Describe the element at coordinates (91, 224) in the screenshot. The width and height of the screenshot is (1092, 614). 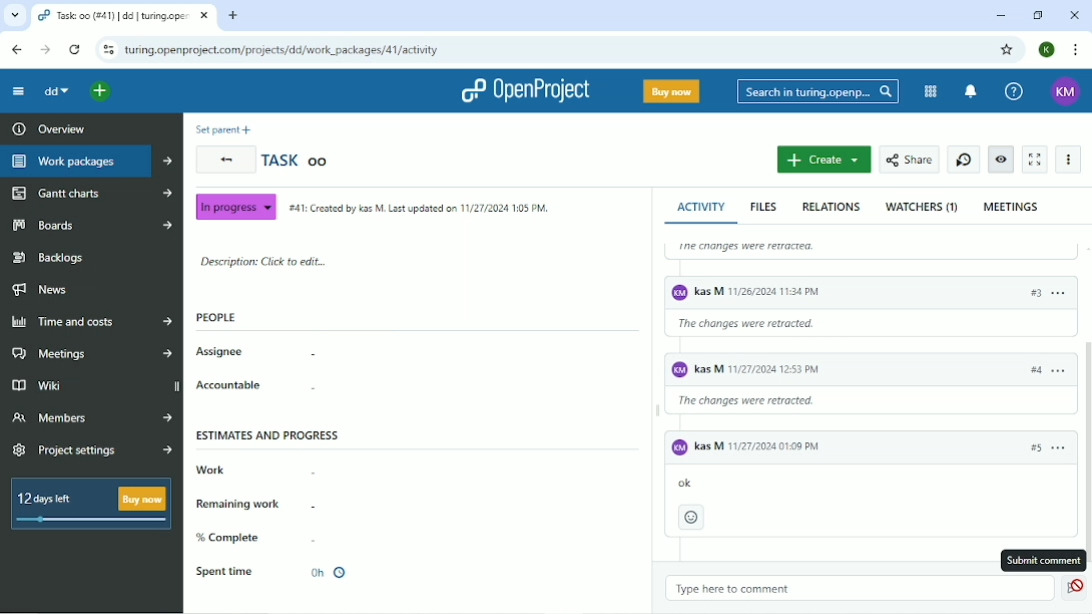
I see `Boards` at that location.